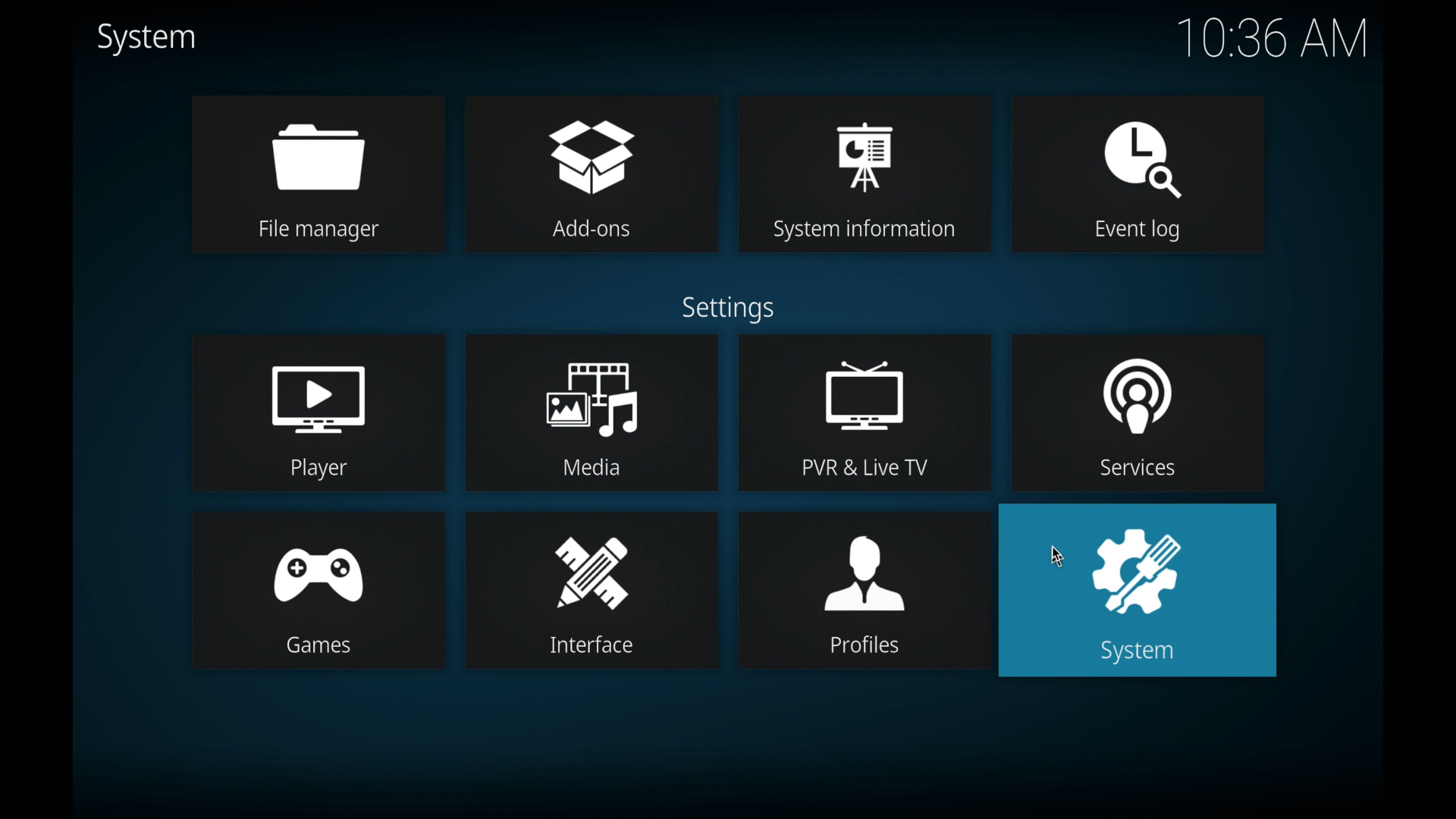  Describe the element at coordinates (866, 174) in the screenshot. I see `system information` at that location.